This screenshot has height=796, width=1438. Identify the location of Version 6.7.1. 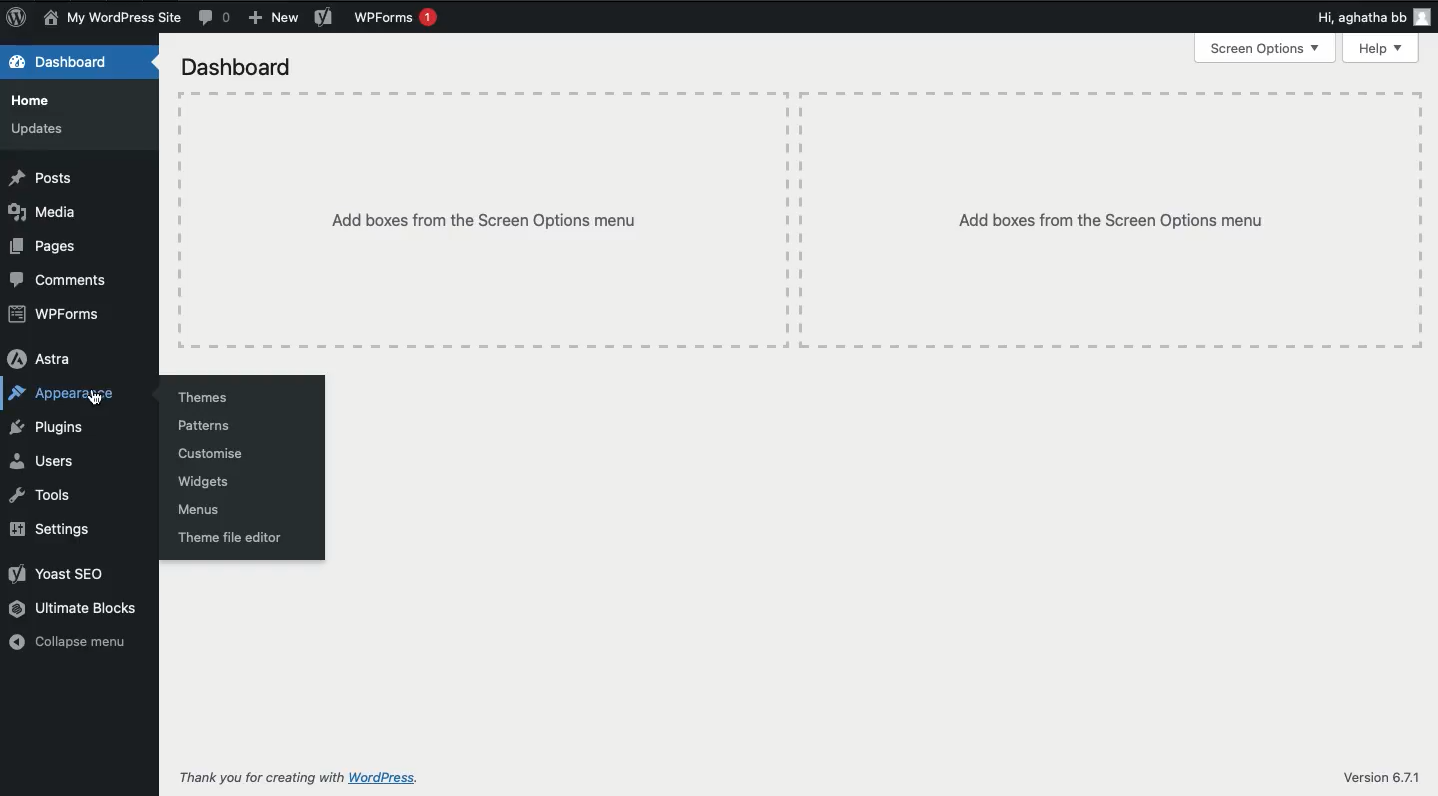
(1384, 777).